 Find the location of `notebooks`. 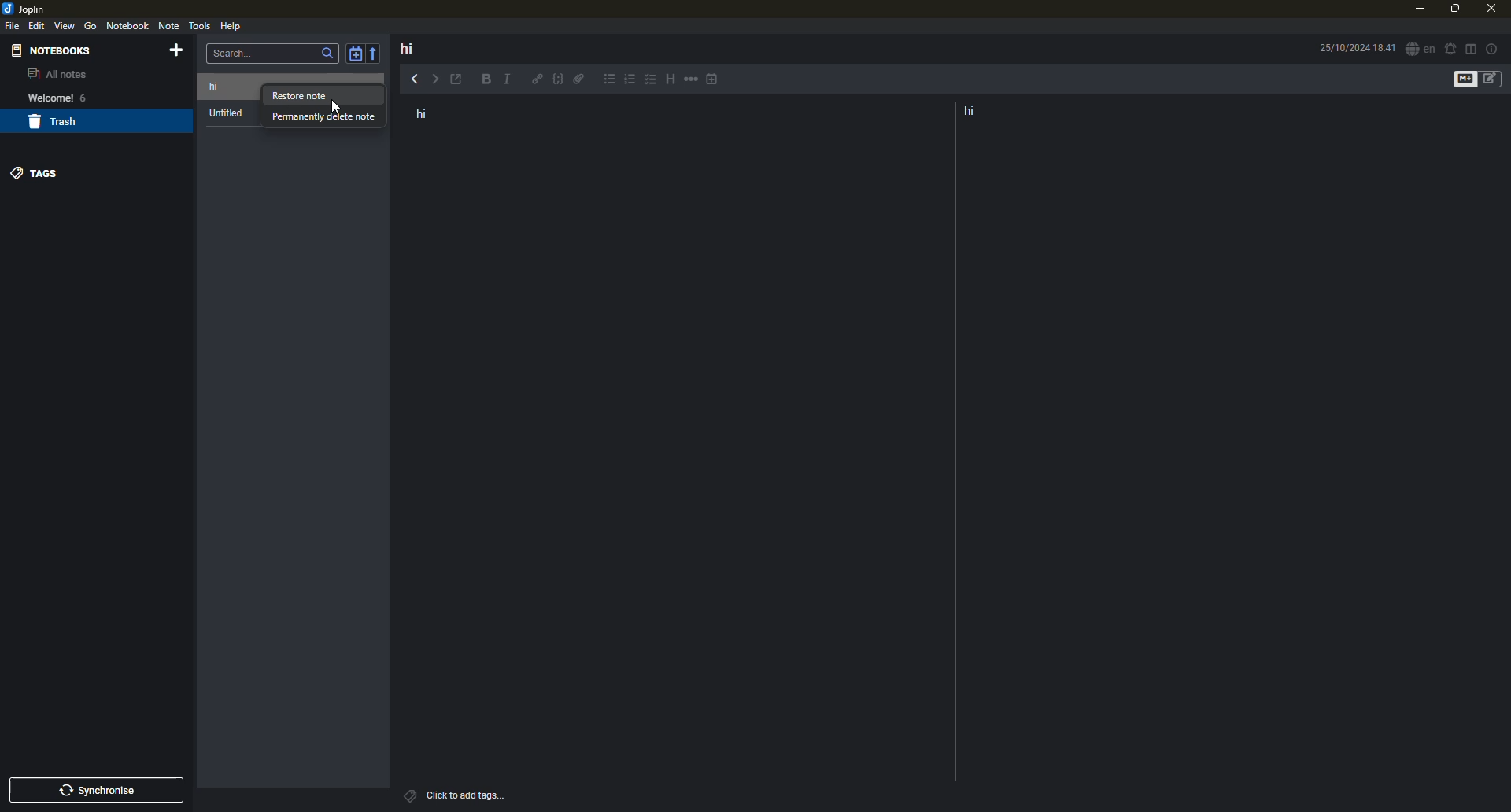

notebooks is located at coordinates (54, 50).